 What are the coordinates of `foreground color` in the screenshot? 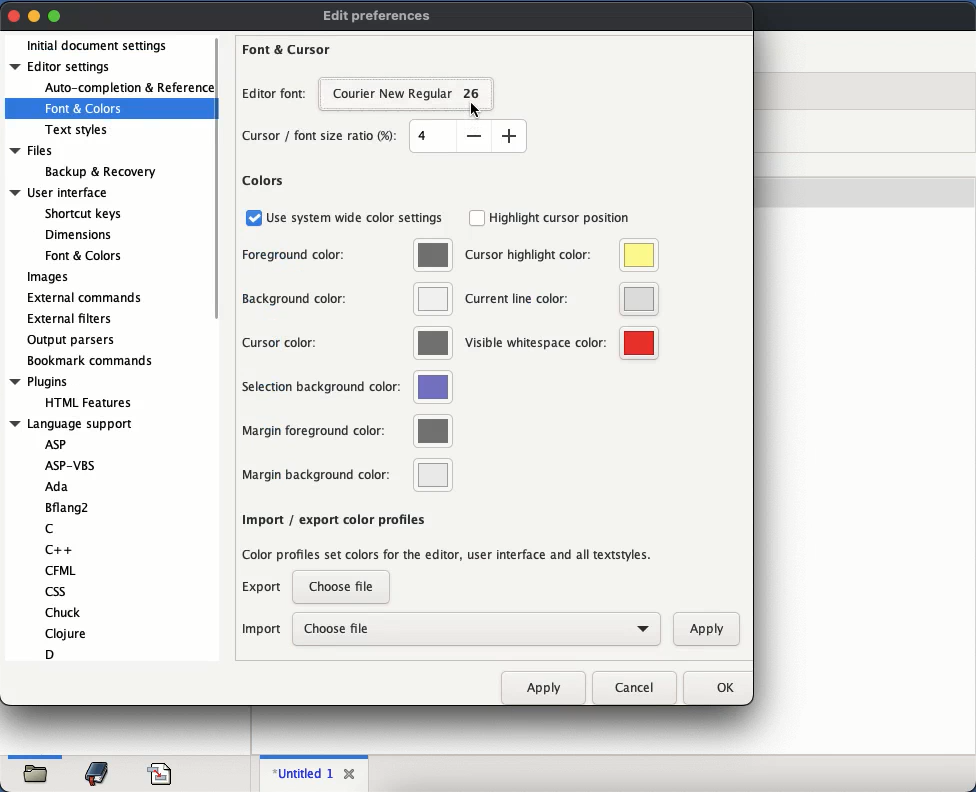 It's located at (320, 256).